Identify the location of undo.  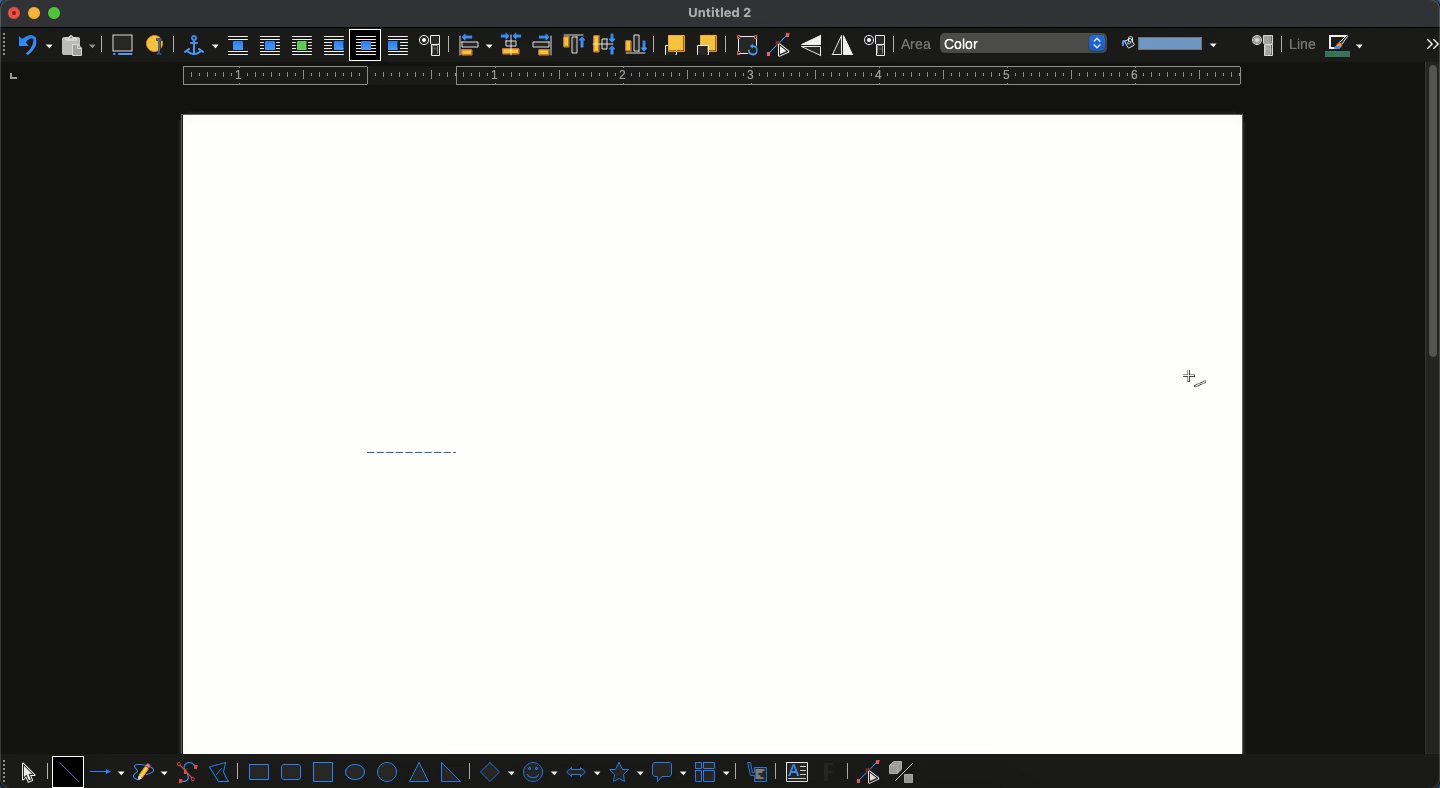
(33, 43).